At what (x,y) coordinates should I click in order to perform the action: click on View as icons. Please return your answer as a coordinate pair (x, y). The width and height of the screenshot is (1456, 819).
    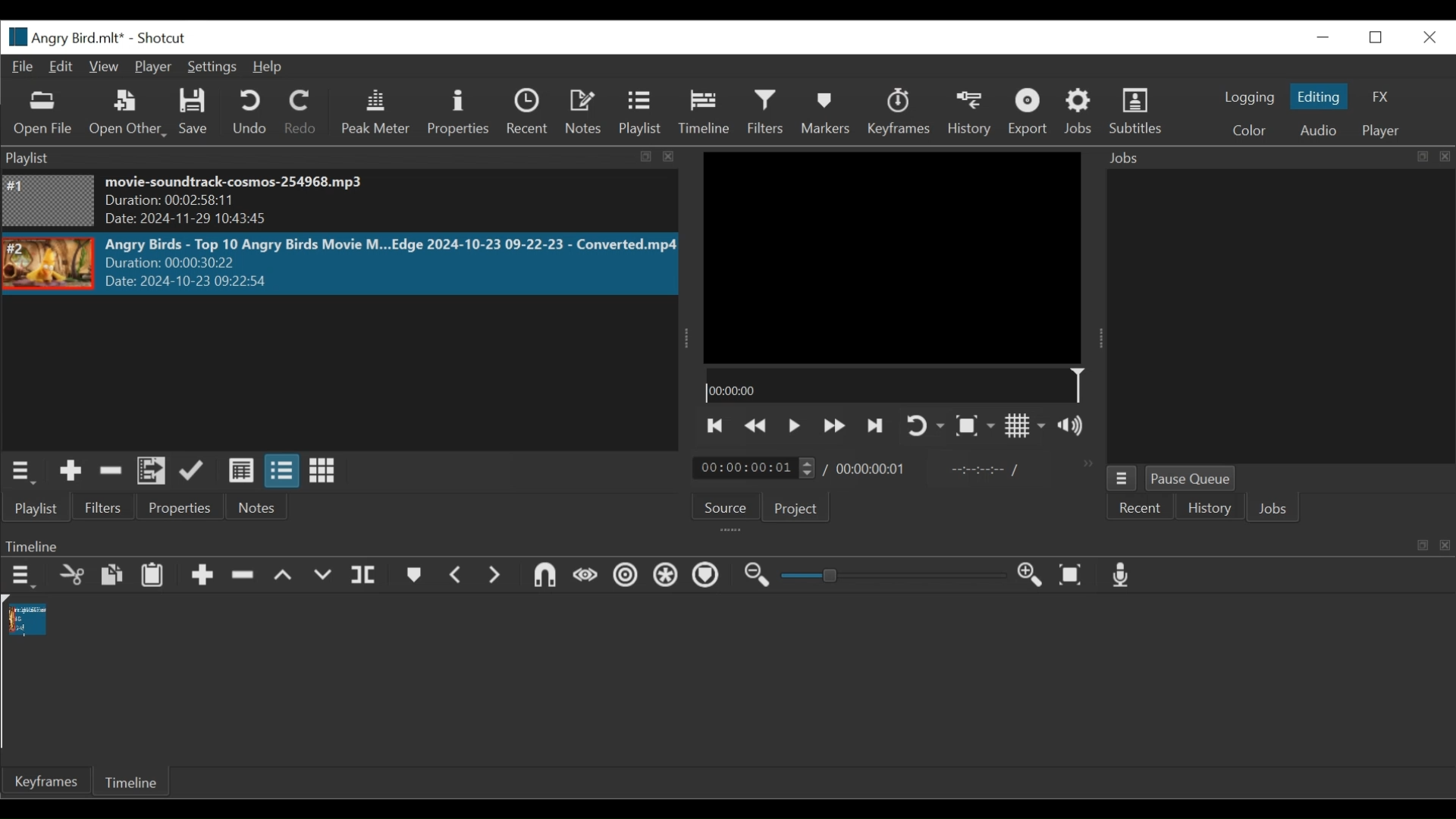
    Looking at the image, I should click on (322, 471).